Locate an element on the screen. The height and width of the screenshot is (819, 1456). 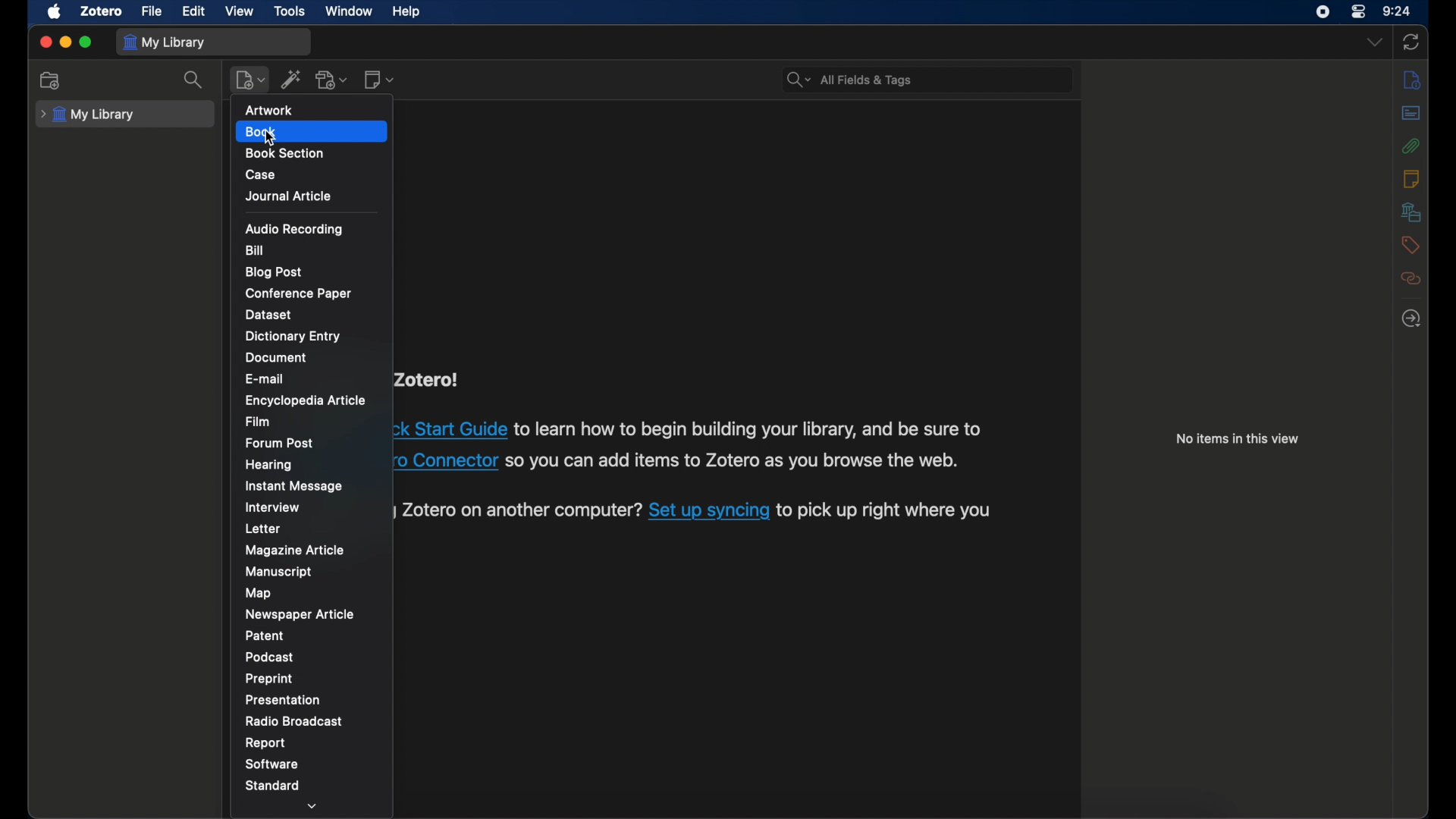
encyclopedia article is located at coordinates (309, 400).